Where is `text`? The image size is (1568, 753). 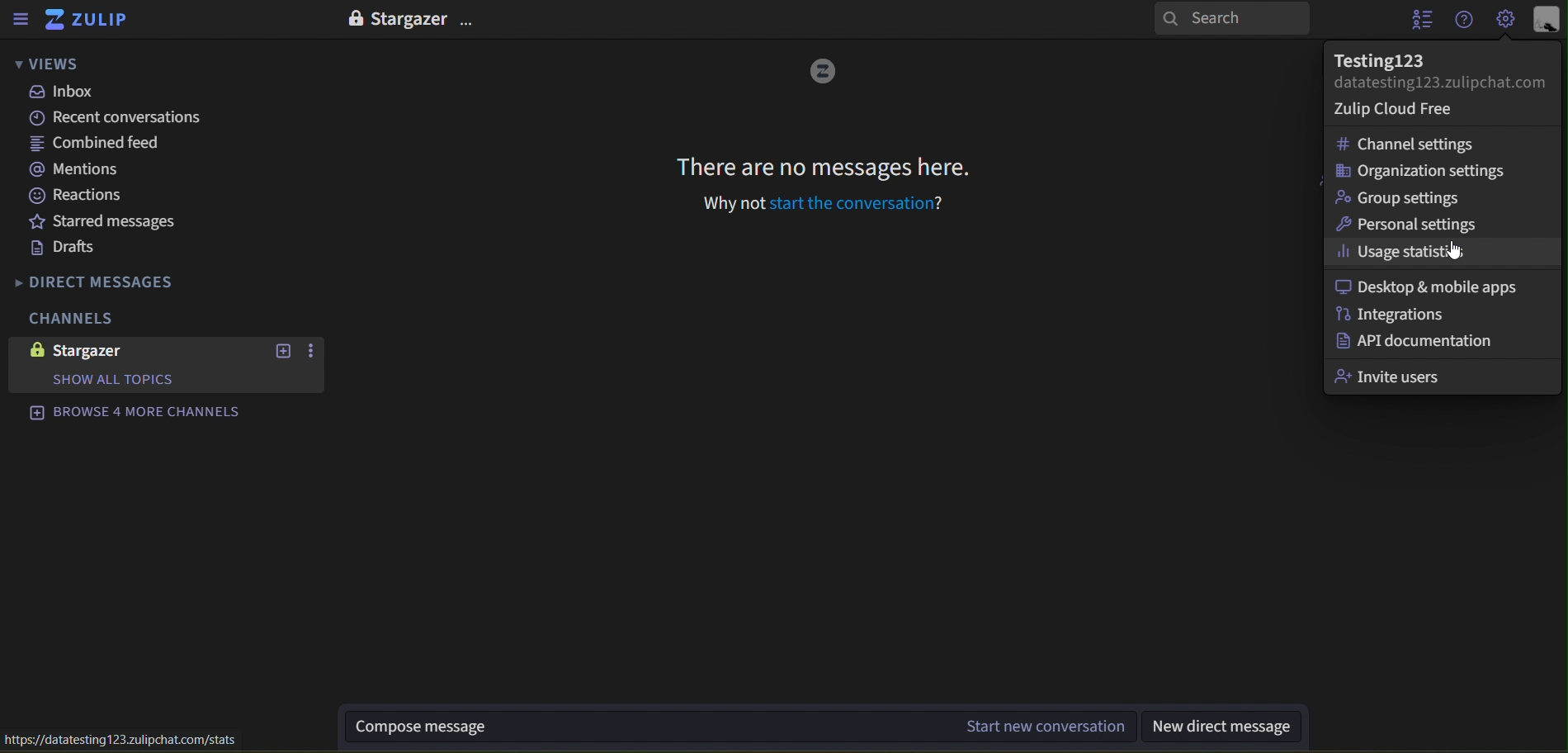
text is located at coordinates (409, 20).